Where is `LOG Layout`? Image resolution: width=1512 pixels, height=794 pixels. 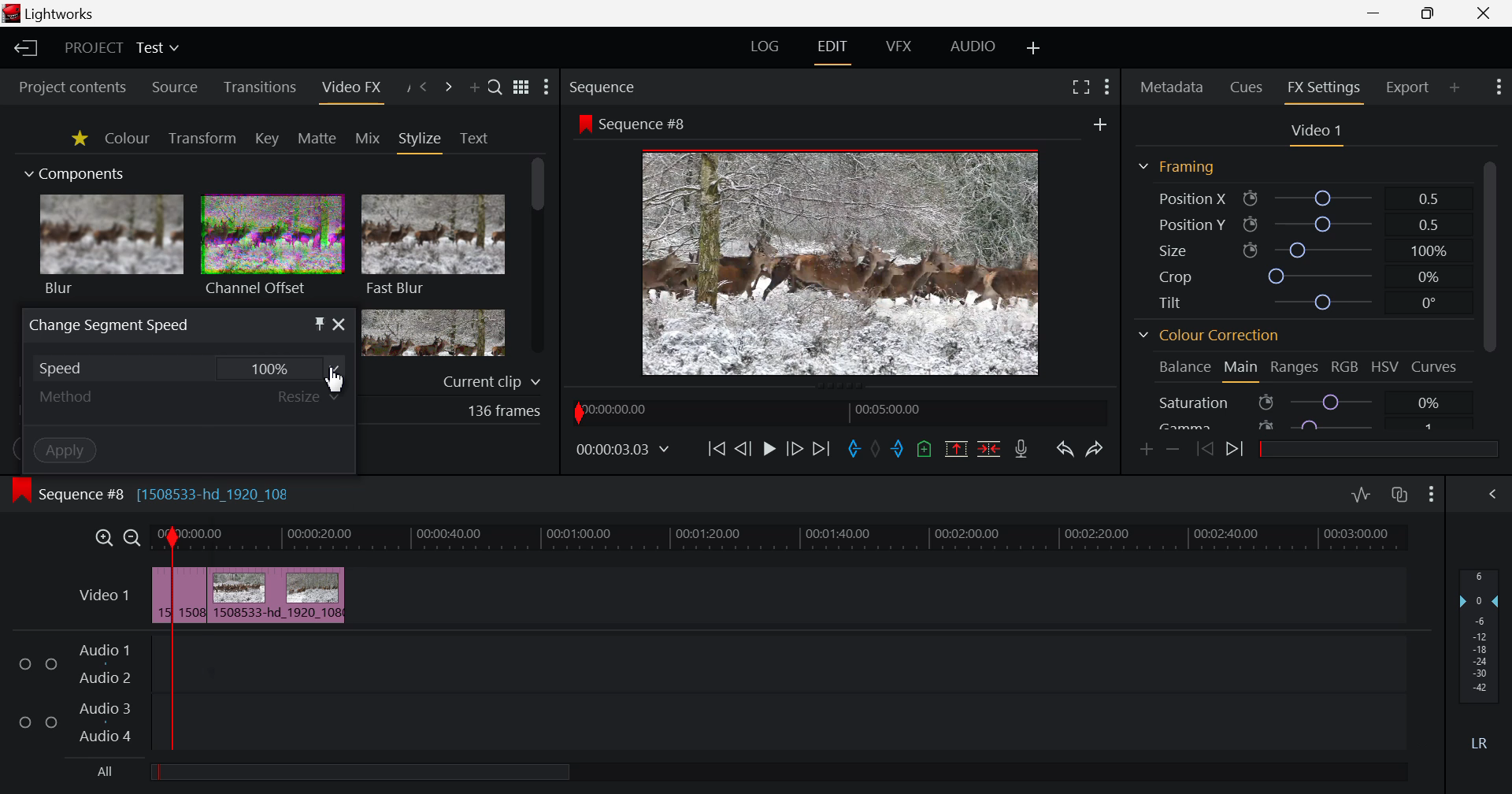 LOG Layout is located at coordinates (765, 47).